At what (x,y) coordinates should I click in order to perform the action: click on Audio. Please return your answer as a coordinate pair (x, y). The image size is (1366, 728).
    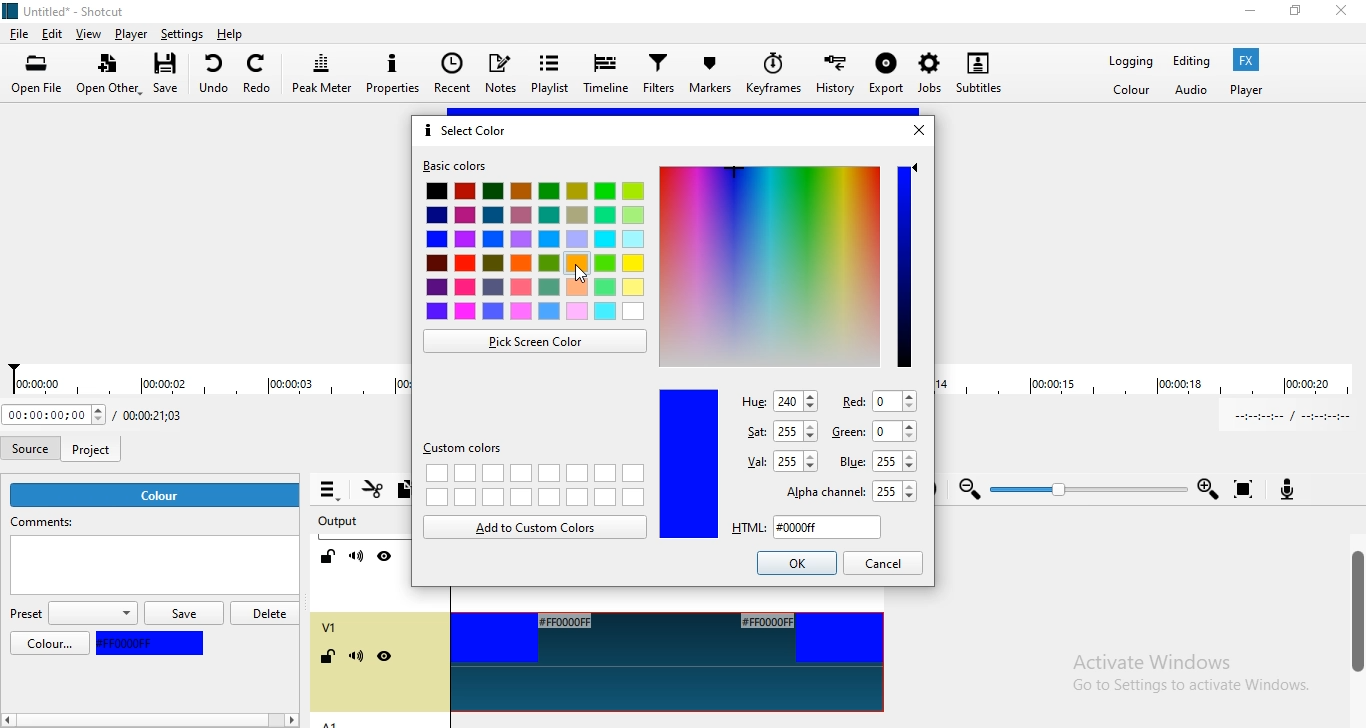
    Looking at the image, I should click on (1192, 90).